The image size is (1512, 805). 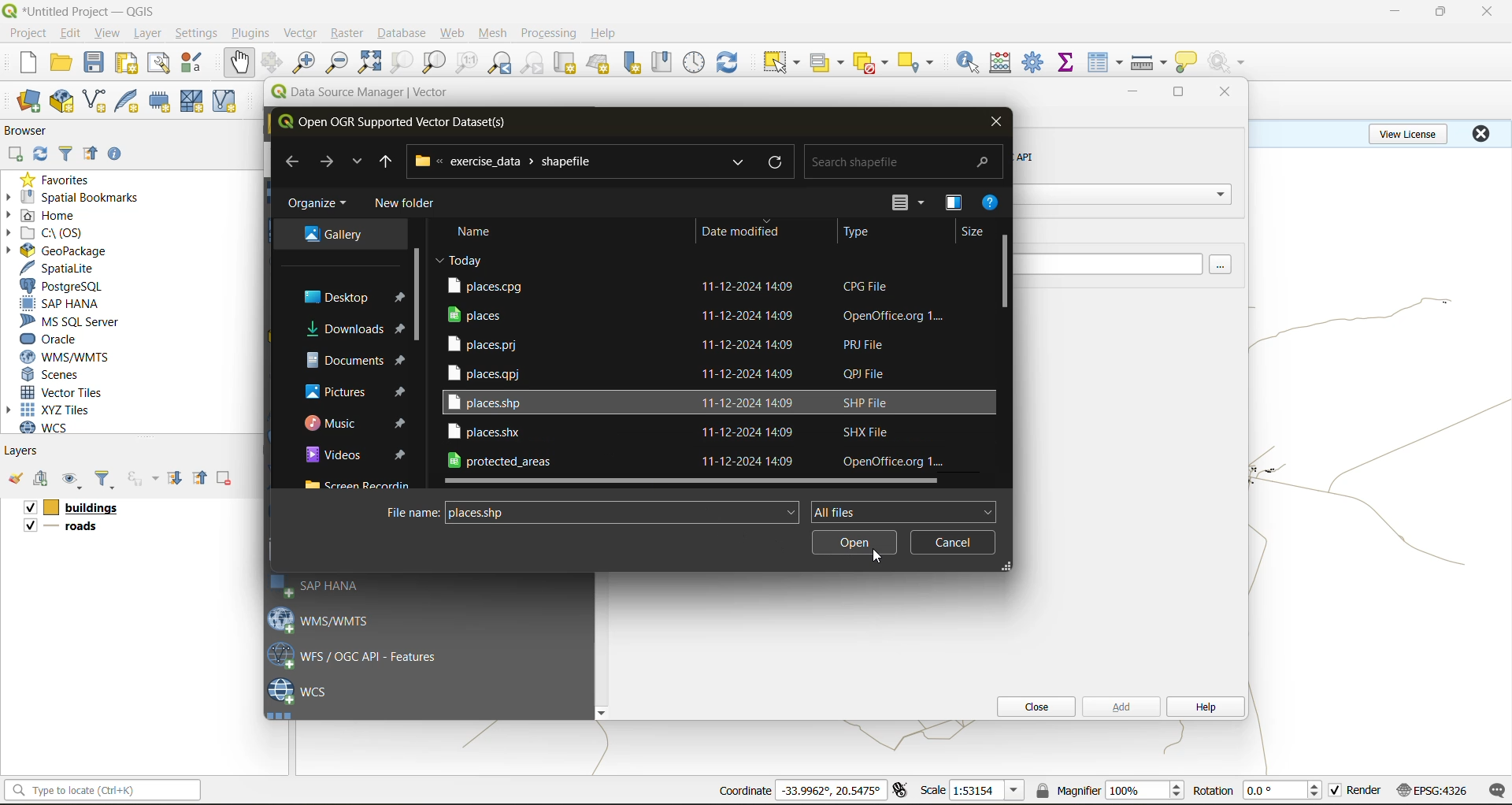 I want to click on postgresql, so click(x=61, y=287).